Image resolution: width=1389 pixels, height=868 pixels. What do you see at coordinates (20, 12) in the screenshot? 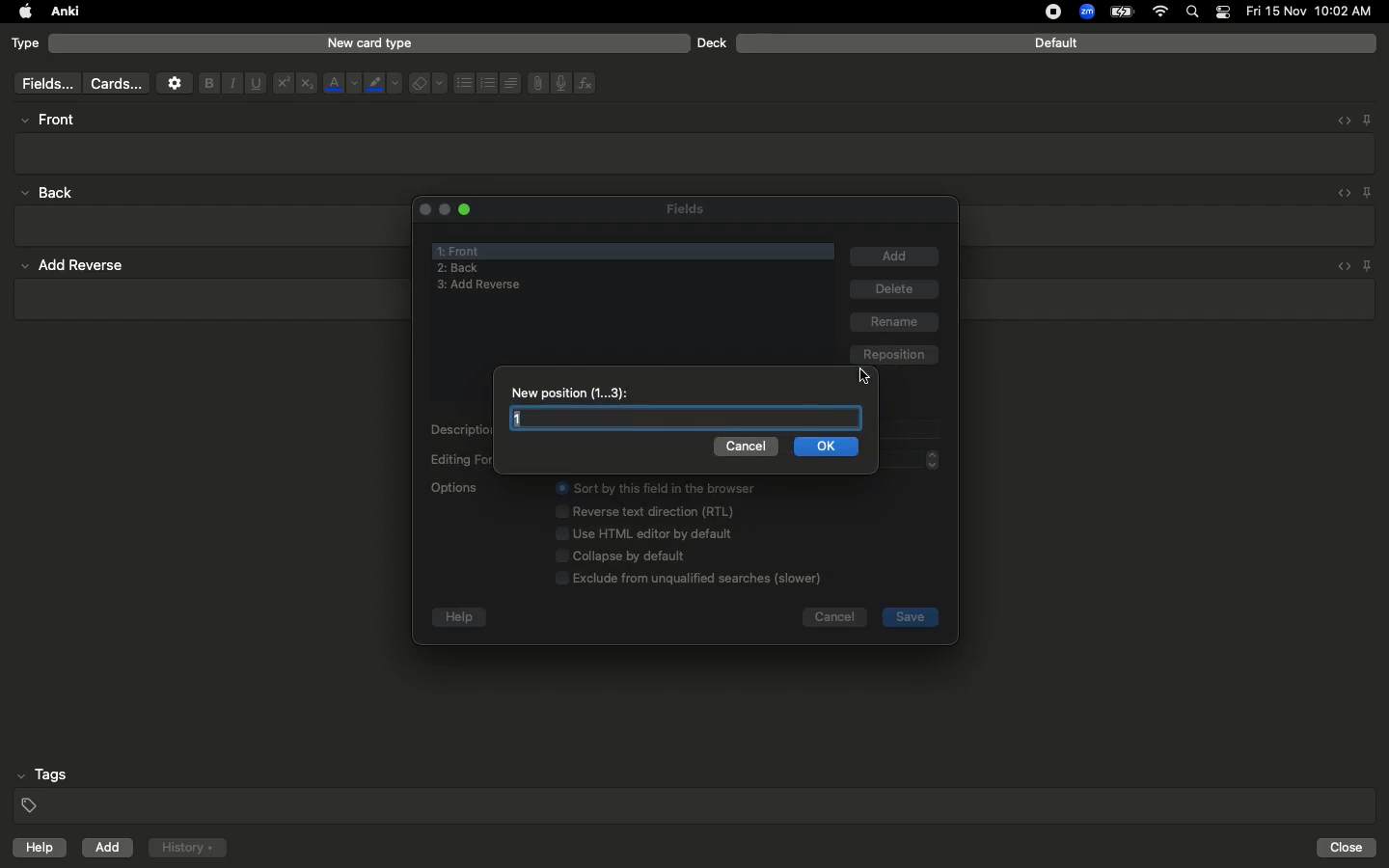
I see `apple logo` at bounding box center [20, 12].